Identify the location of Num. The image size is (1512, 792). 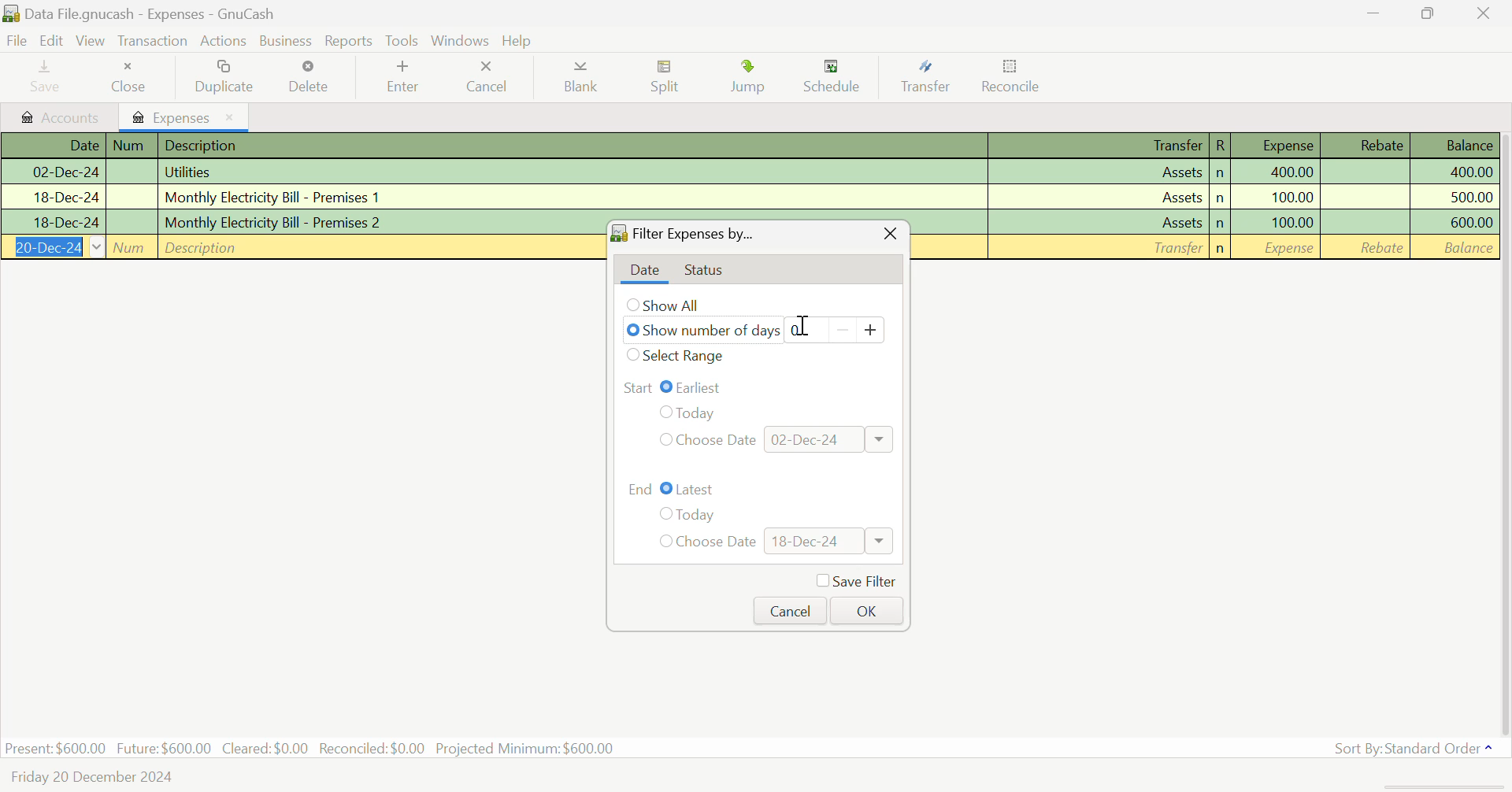
(129, 246).